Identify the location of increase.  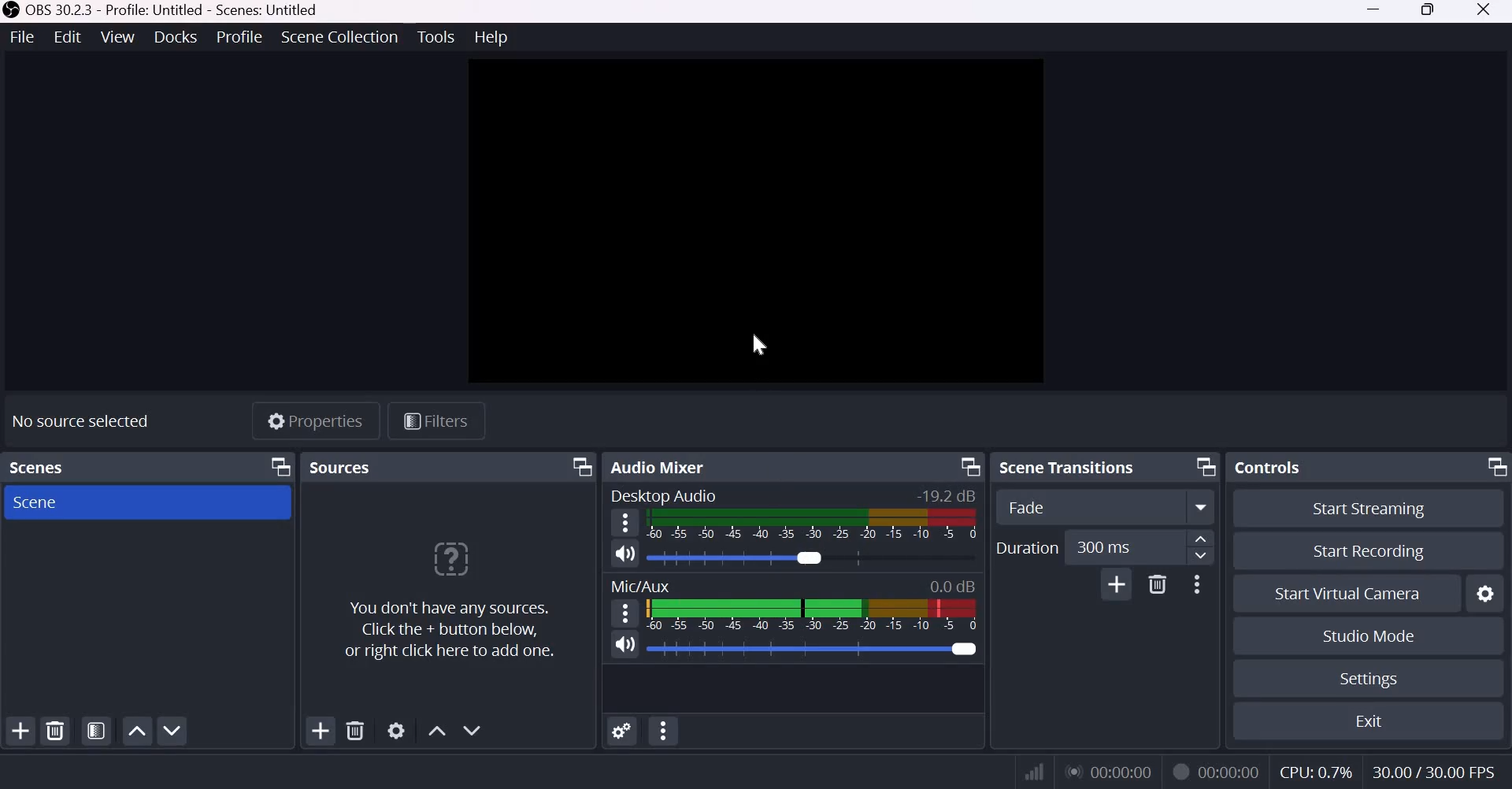
(1202, 540).